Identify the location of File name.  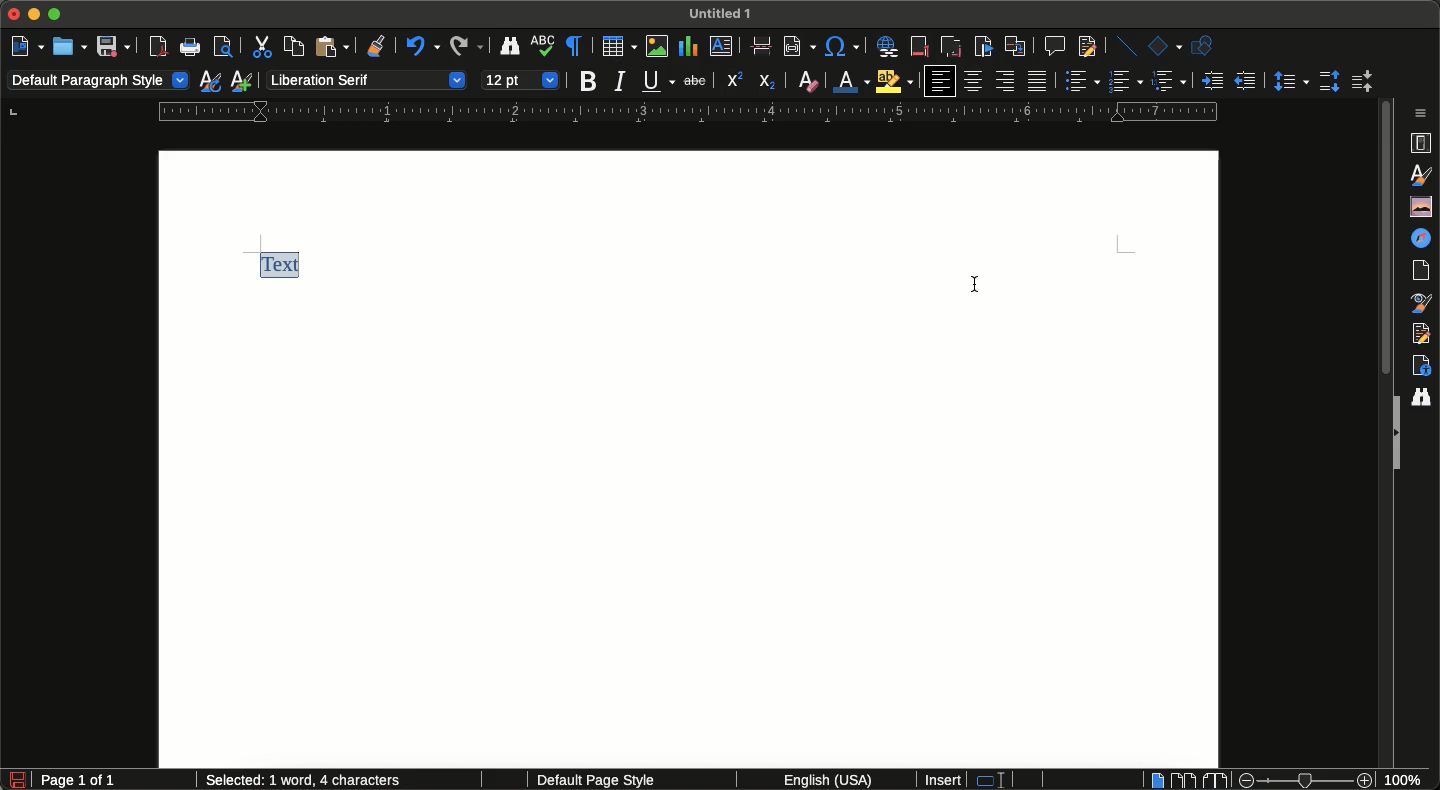
(724, 12).